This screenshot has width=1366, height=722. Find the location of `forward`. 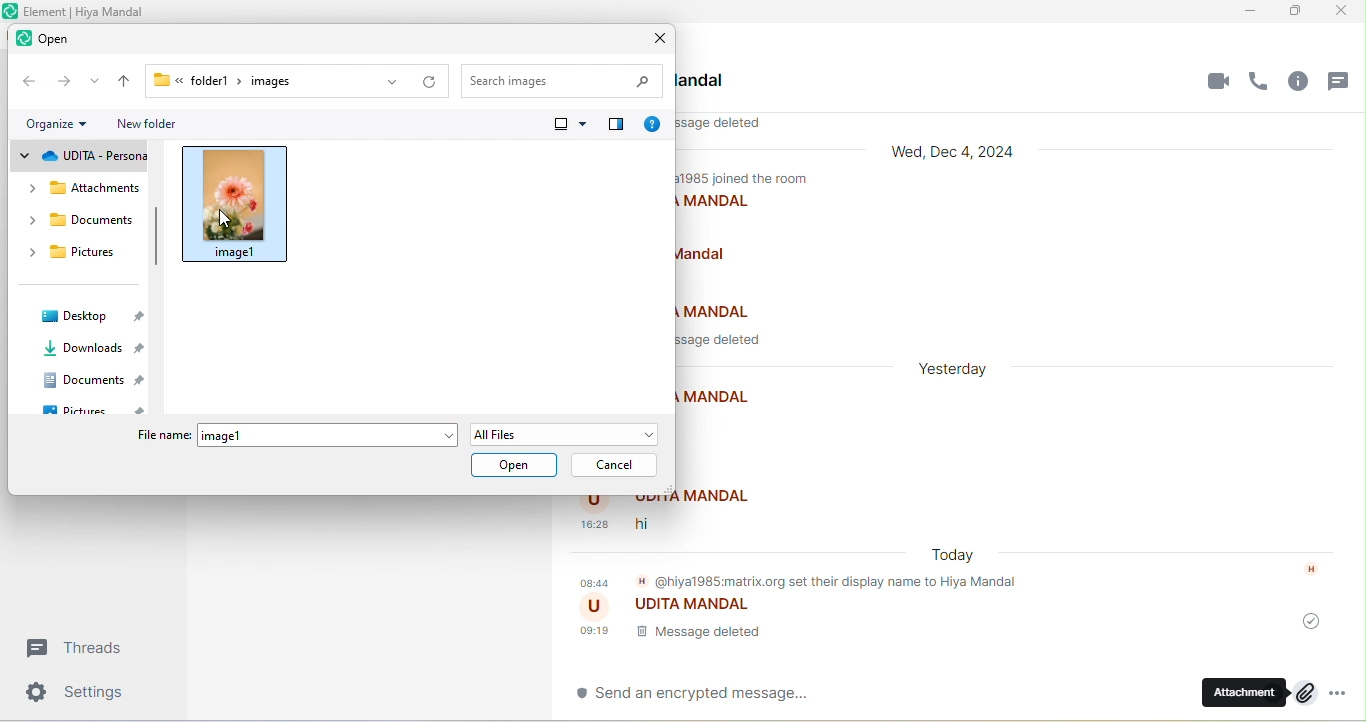

forward is located at coordinates (63, 84).